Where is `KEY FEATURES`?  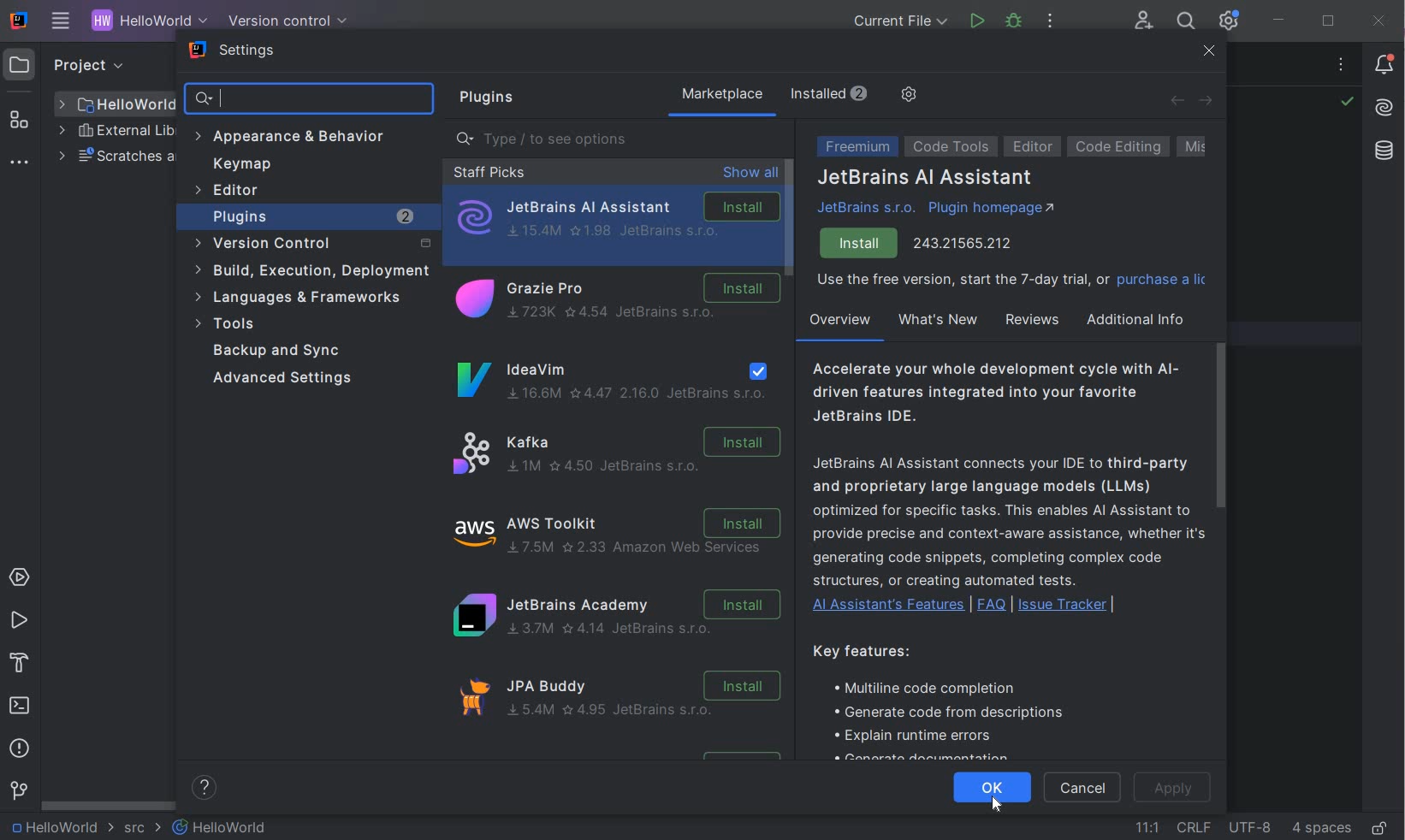 KEY FEATURES is located at coordinates (951, 700).